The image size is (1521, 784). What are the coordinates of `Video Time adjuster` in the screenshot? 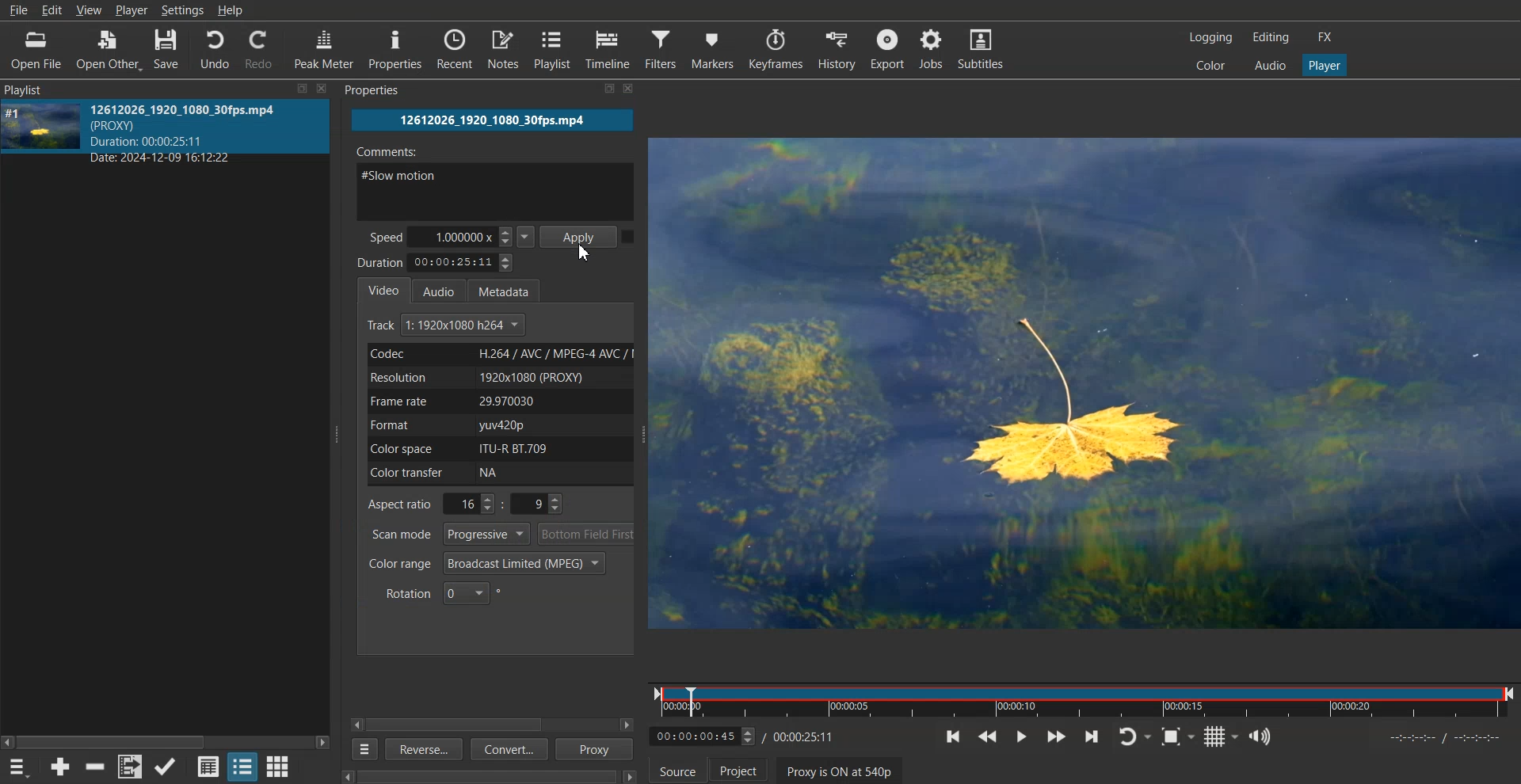 It's located at (703, 736).